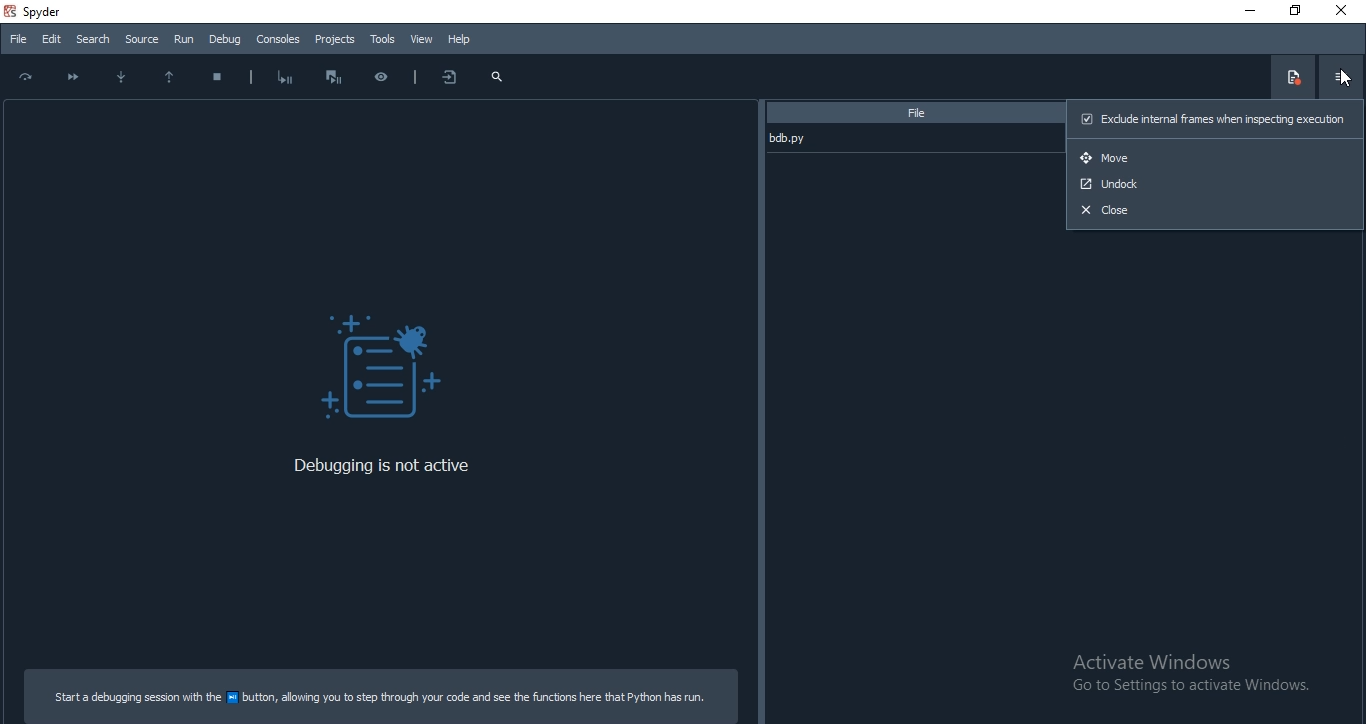 The height and width of the screenshot is (724, 1366). Describe the element at coordinates (390, 467) in the screenshot. I see `Debugging is not active` at that location.